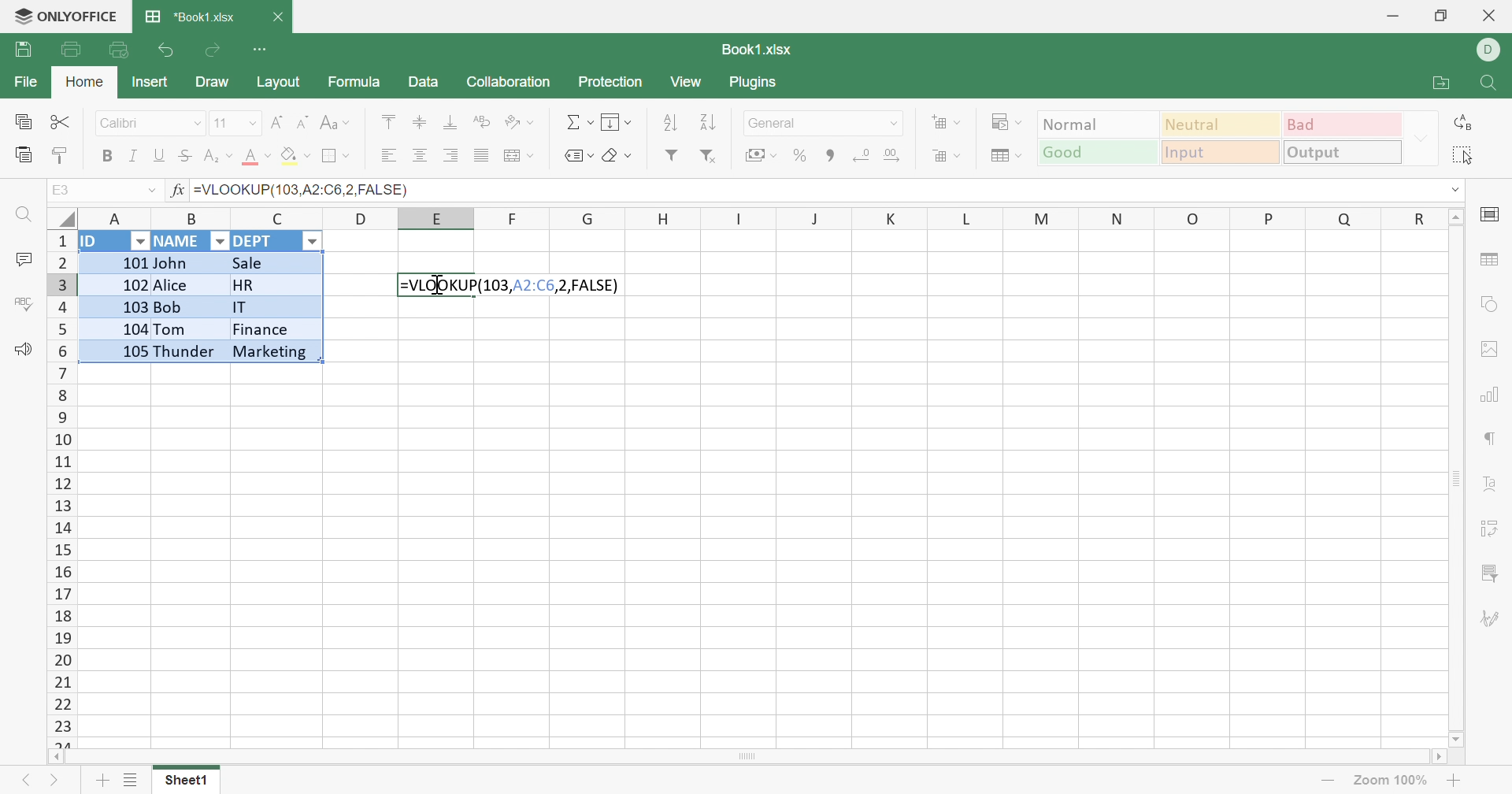 This screenshot has height=794, width=1512. I want to click on Replace, so click(1462, 124).